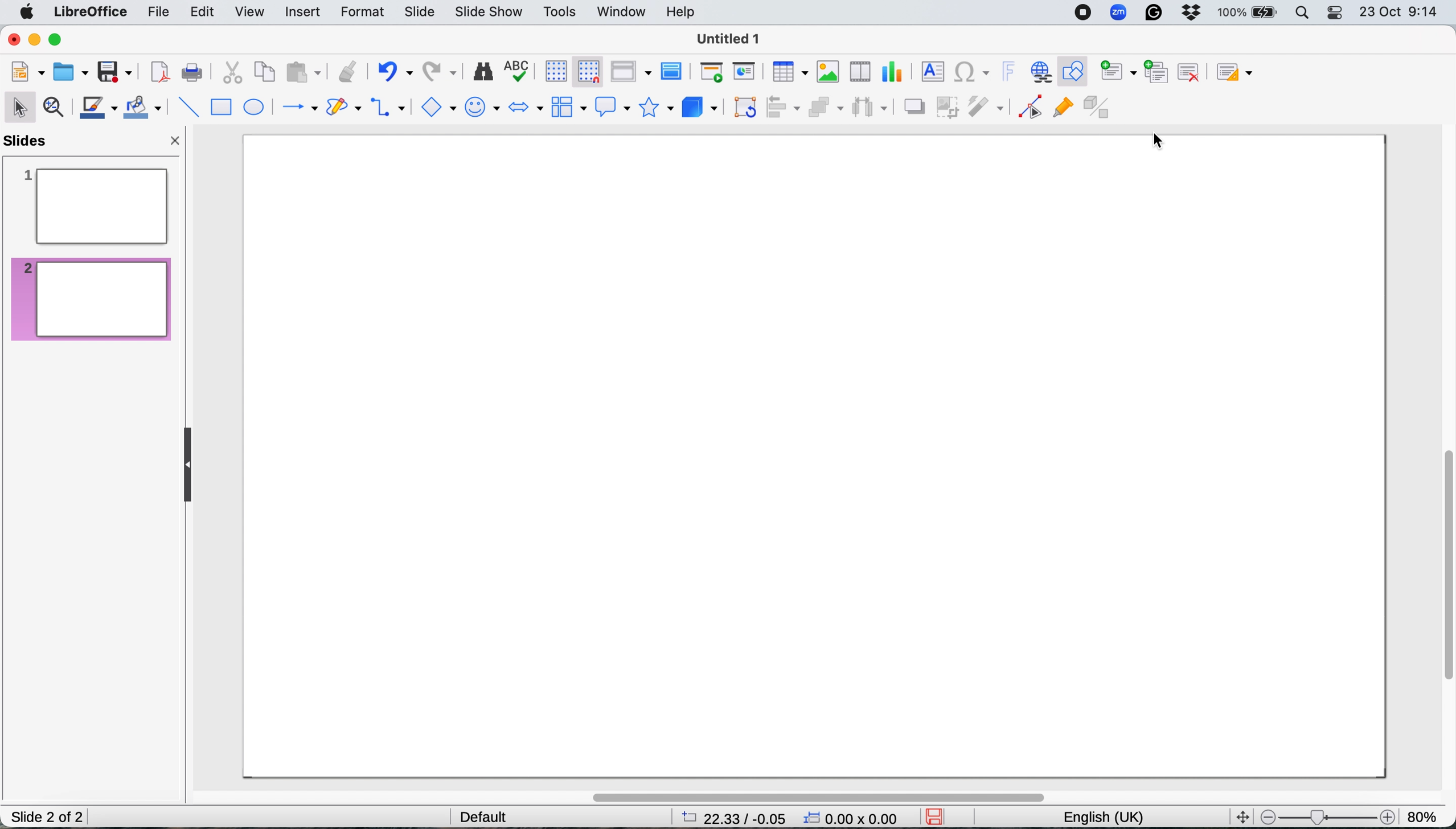 The width and height of the screenshot is (1456, 829). What do you see at coordinates (711, 72) in the screenshot?
I see `start from first slide` at bounding box center [711, 72].